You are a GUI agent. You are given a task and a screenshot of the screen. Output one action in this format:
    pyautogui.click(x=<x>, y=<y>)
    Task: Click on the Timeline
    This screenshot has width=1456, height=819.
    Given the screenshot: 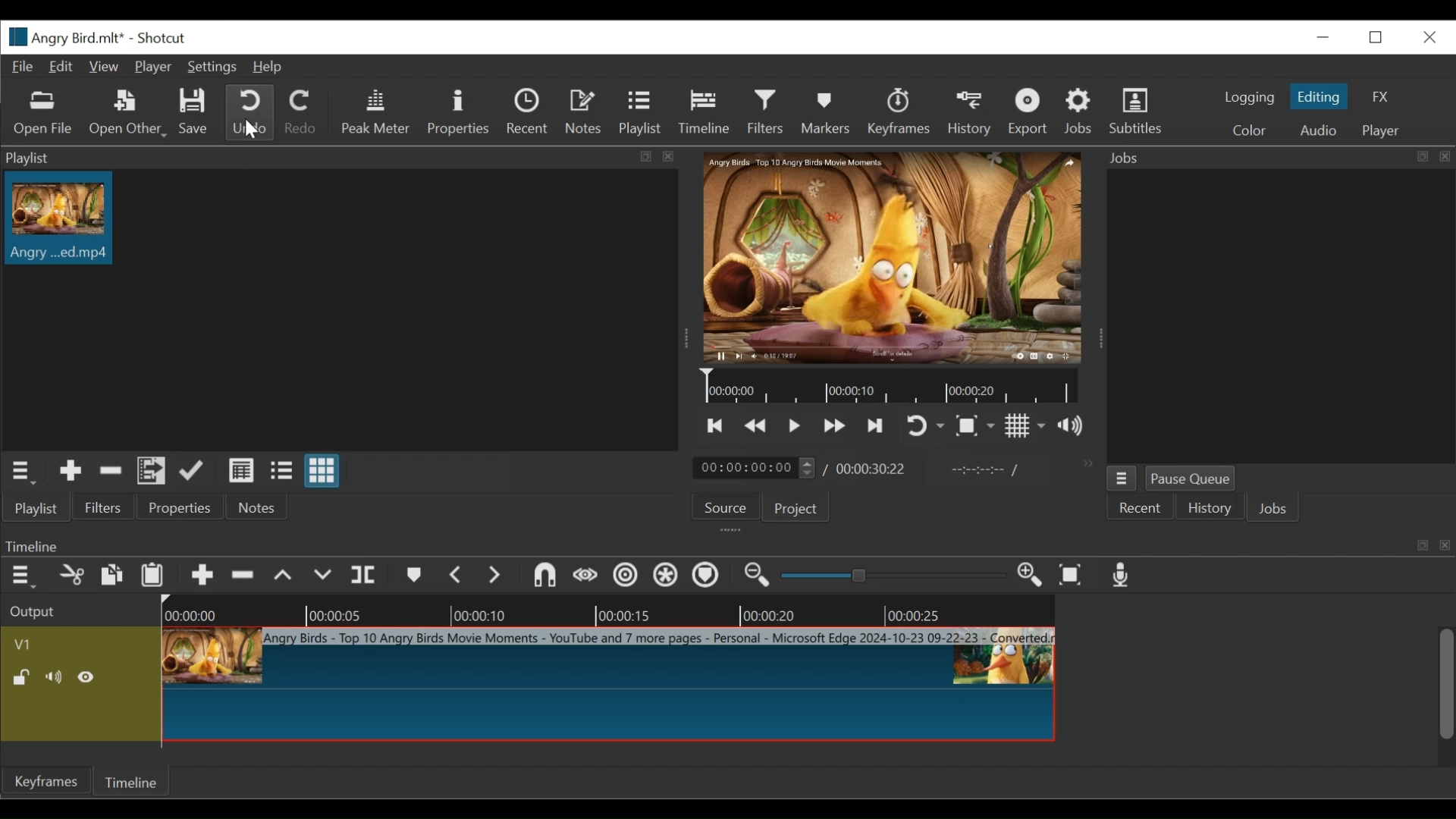 What is the action you would take?
    pyautogui.click(x=704, y=113)
    